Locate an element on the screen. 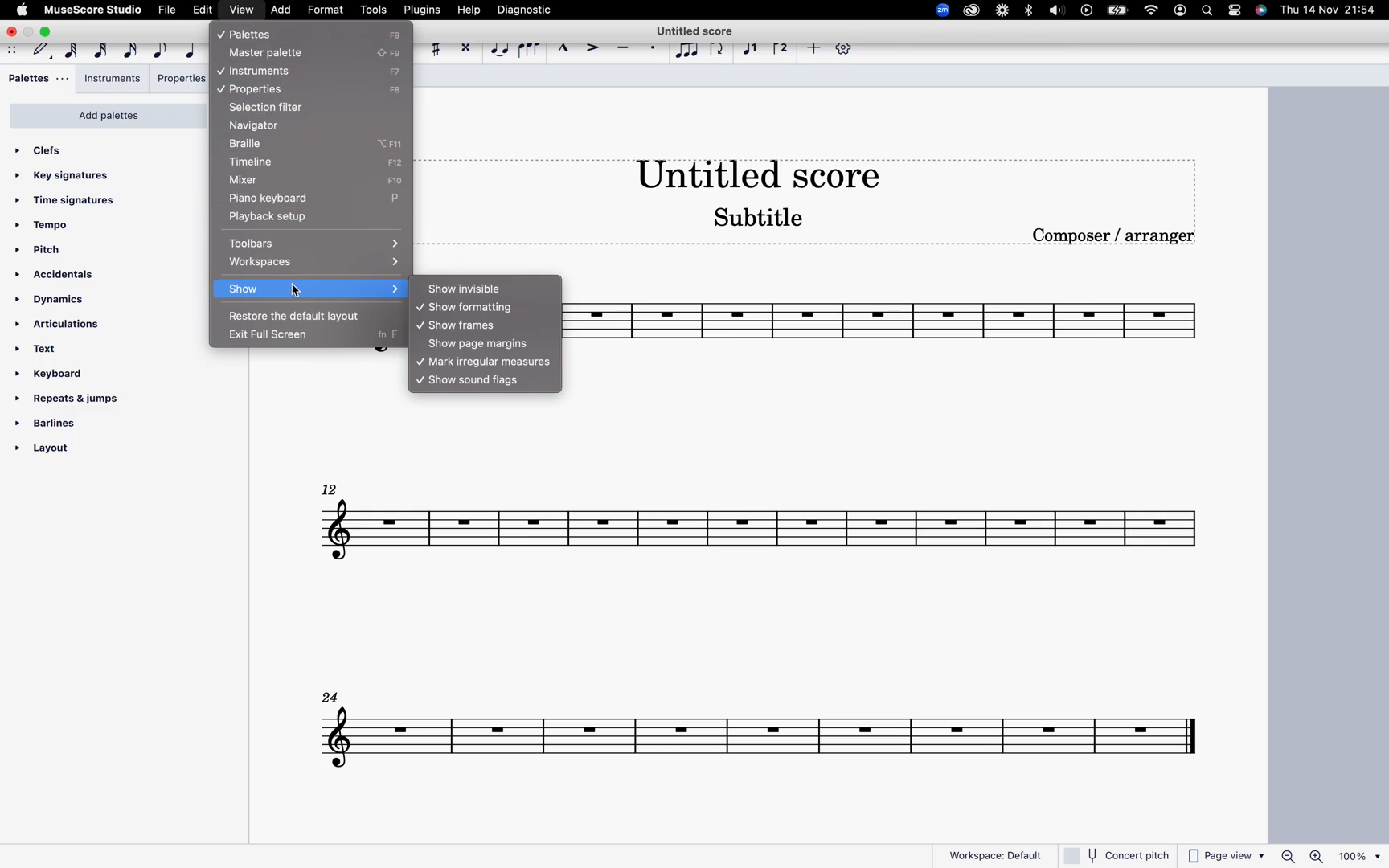 This screenshot has height=868, width=1389. search is located at coordinates (1208, 10).